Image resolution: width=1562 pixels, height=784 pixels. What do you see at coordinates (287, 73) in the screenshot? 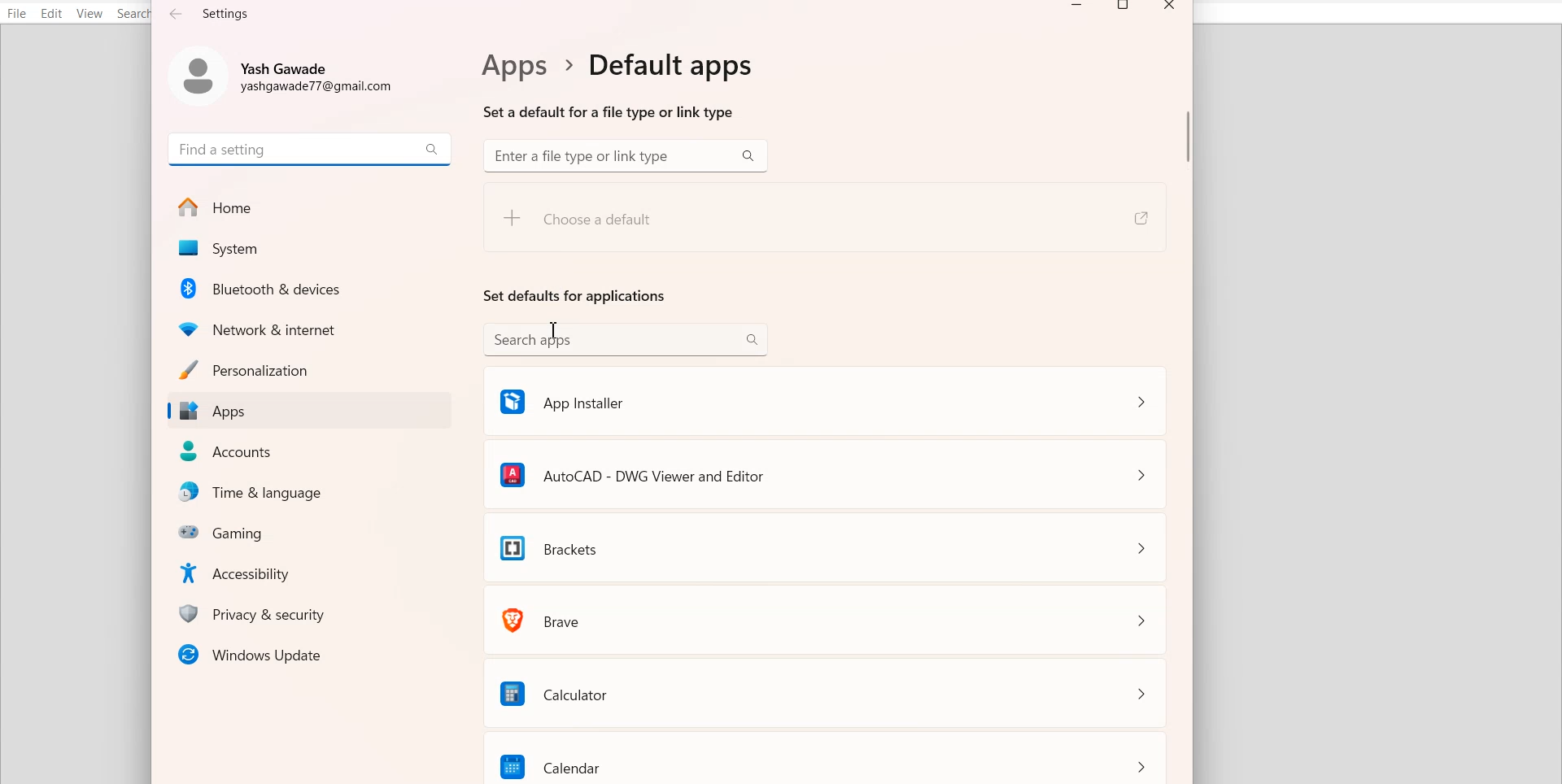
I see `Account` at bounding box center [287, 73].